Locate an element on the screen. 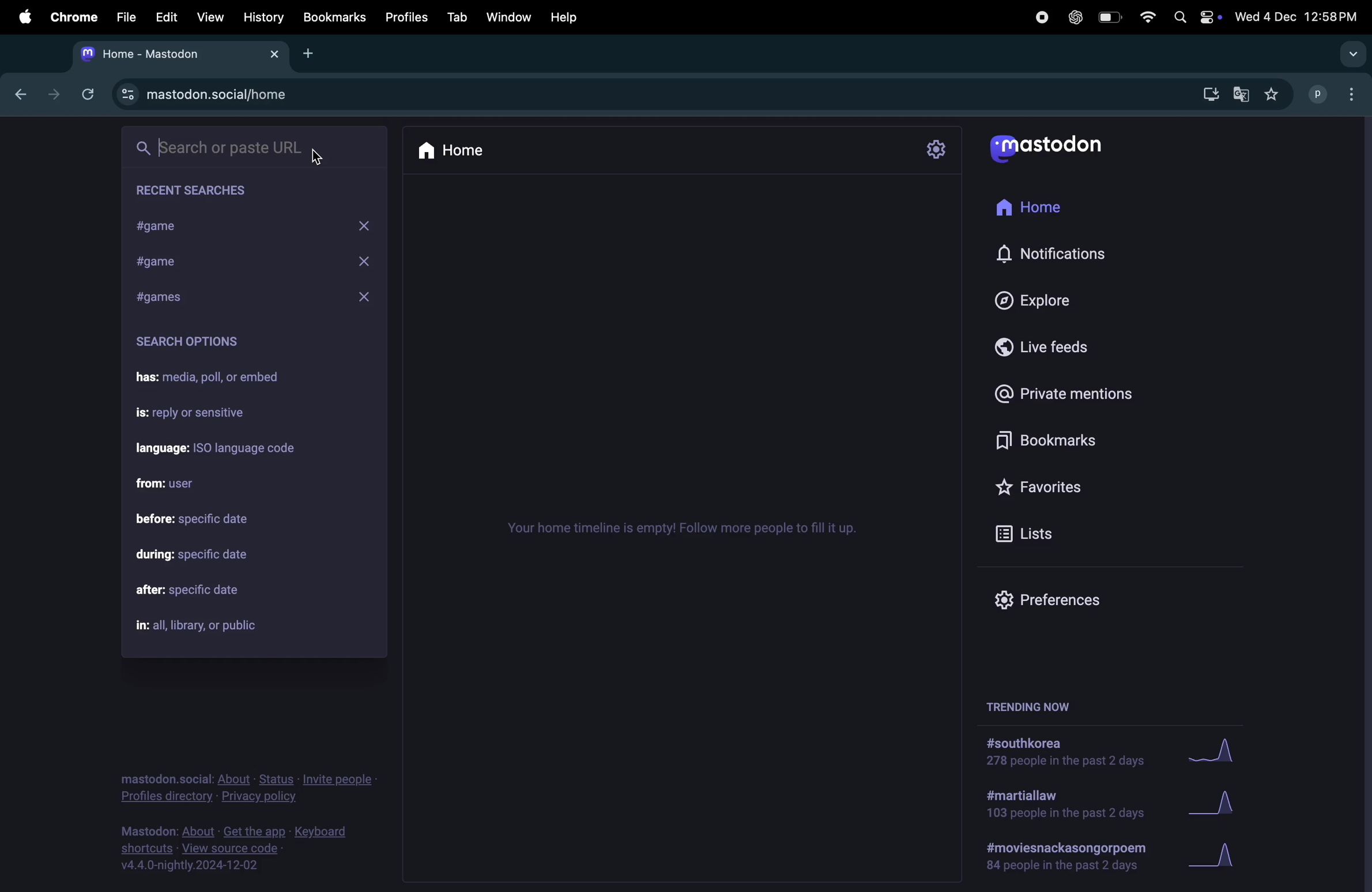 The image size is (1372, 892). close is located at coordinates (370, 260).